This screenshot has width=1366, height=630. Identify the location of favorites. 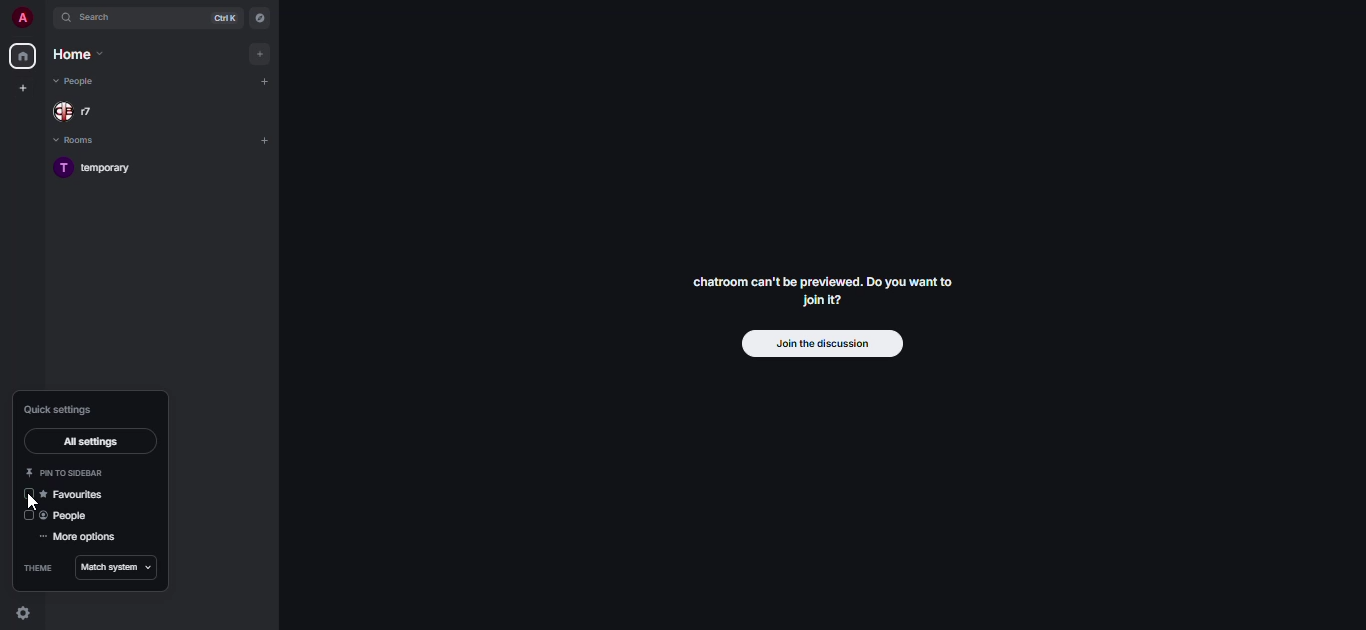
(72, 495).